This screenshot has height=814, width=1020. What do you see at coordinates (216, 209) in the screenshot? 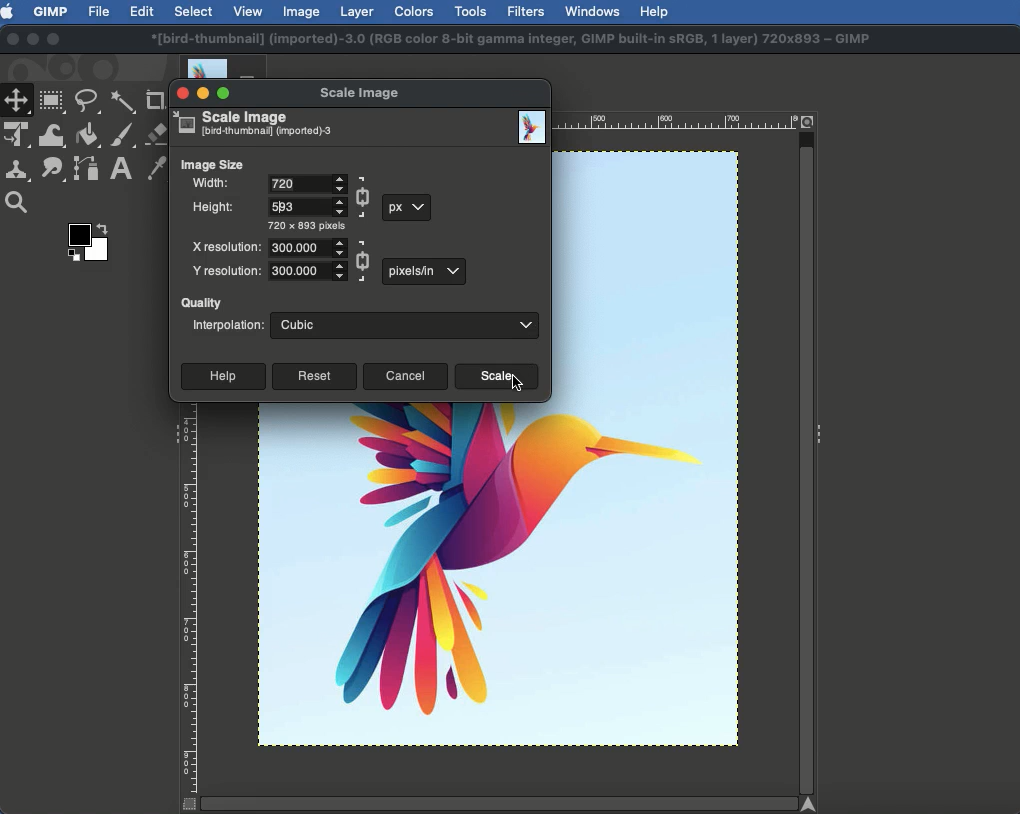
I see `Height` at bounding box center [216, 209].